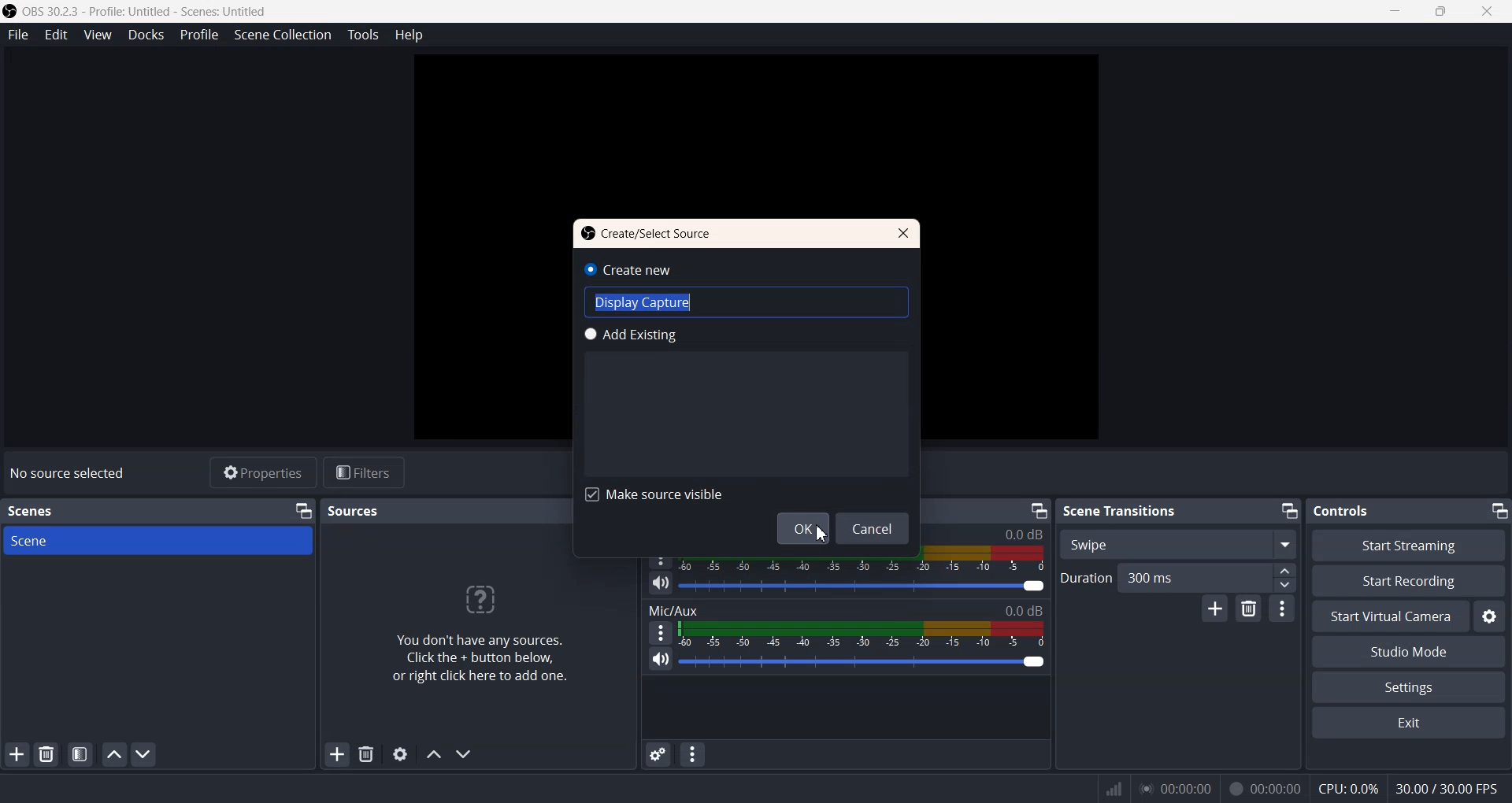 Image resolution: width=1512 pixels, height=803 pixels. Describe the element at coordinates (862, 634) in the screenshot. I see `Volume Indicator` at that location.